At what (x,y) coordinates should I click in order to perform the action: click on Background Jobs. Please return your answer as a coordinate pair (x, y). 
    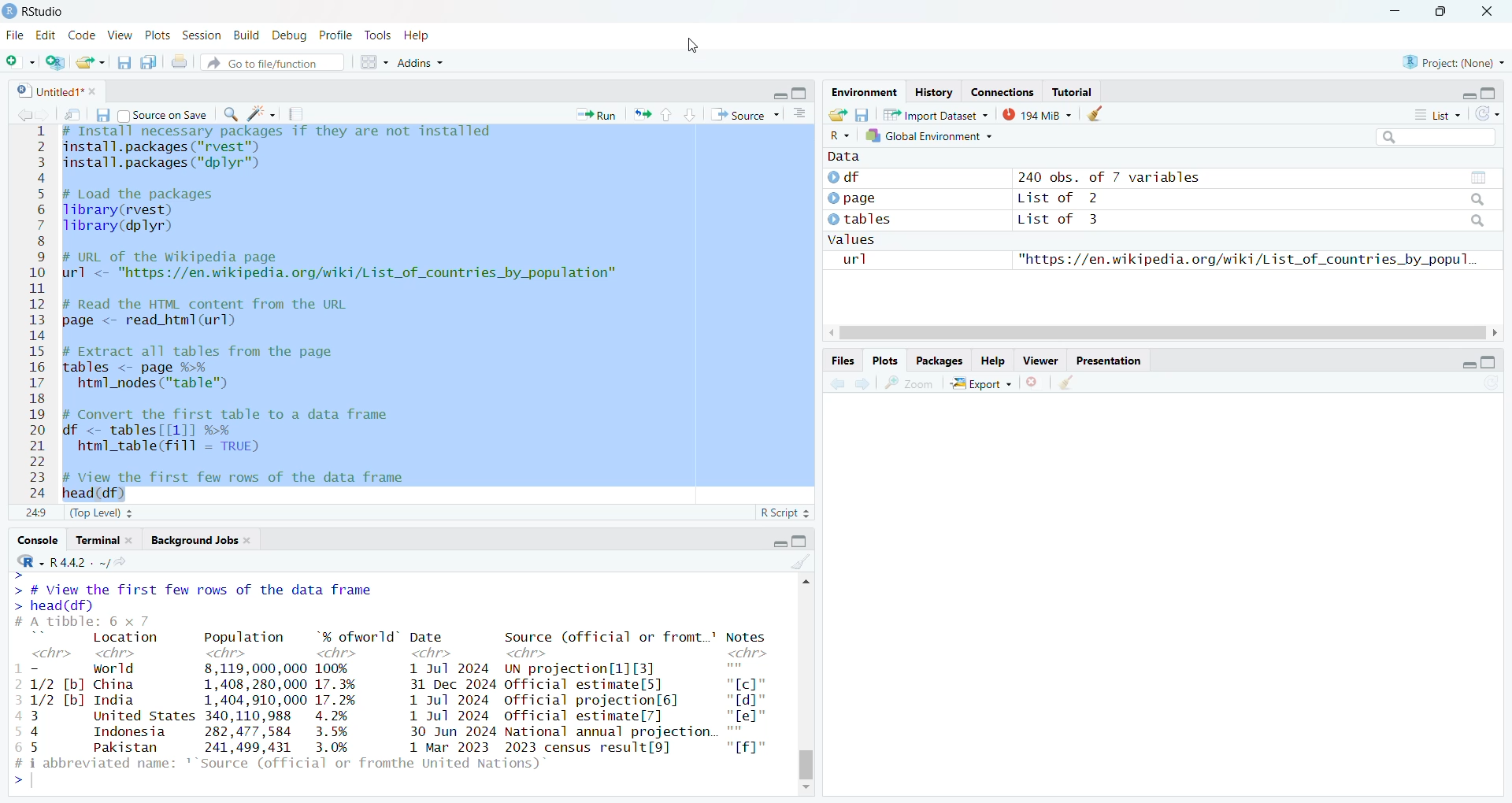
    Looking at the image, I should click on (193, 540).